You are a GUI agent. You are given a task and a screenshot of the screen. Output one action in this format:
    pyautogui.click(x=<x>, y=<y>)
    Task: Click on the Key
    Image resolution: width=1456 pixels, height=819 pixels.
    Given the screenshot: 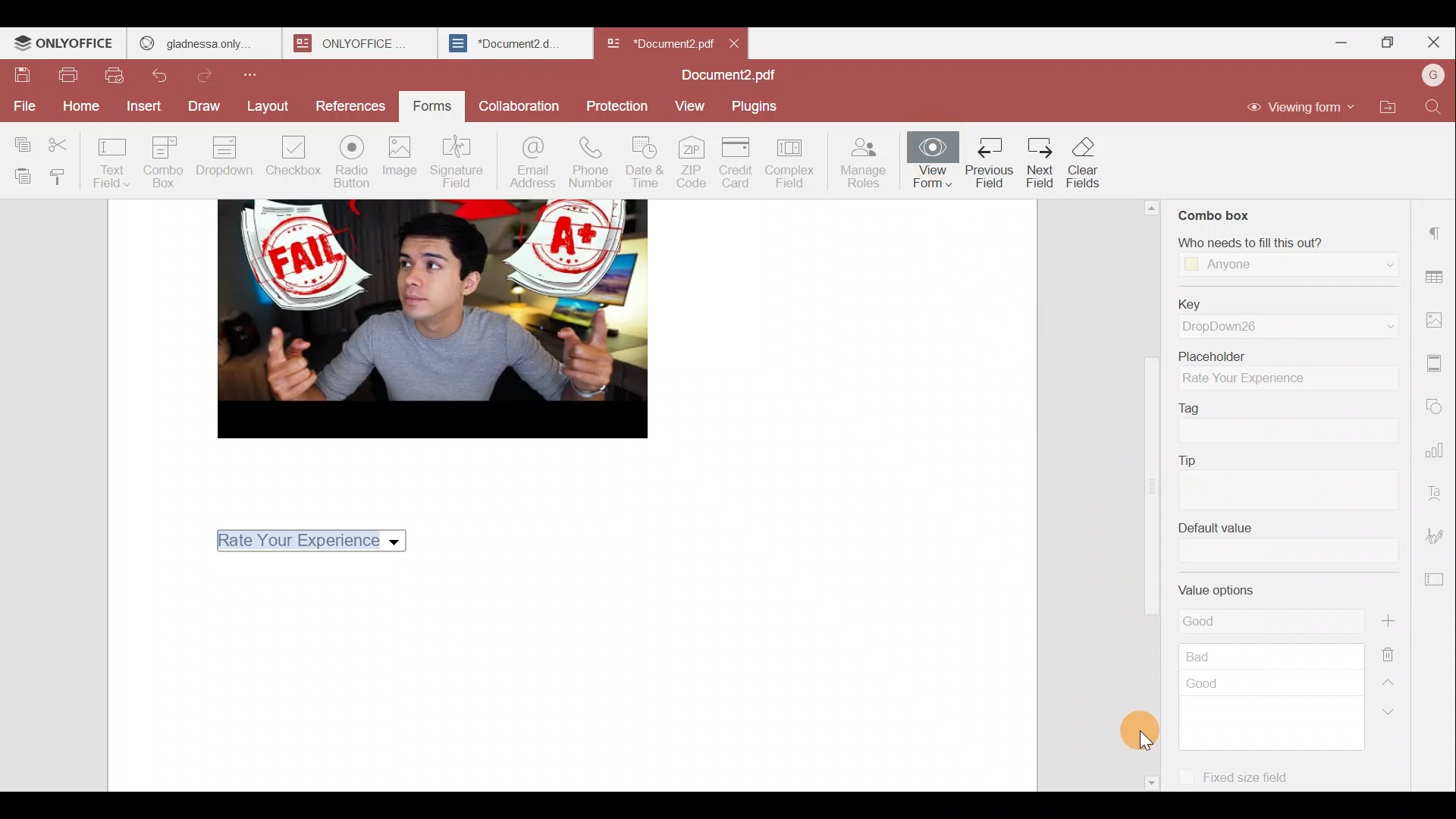 What is the action you would take?
    pyautogui.click(x=1288, y=316)
    